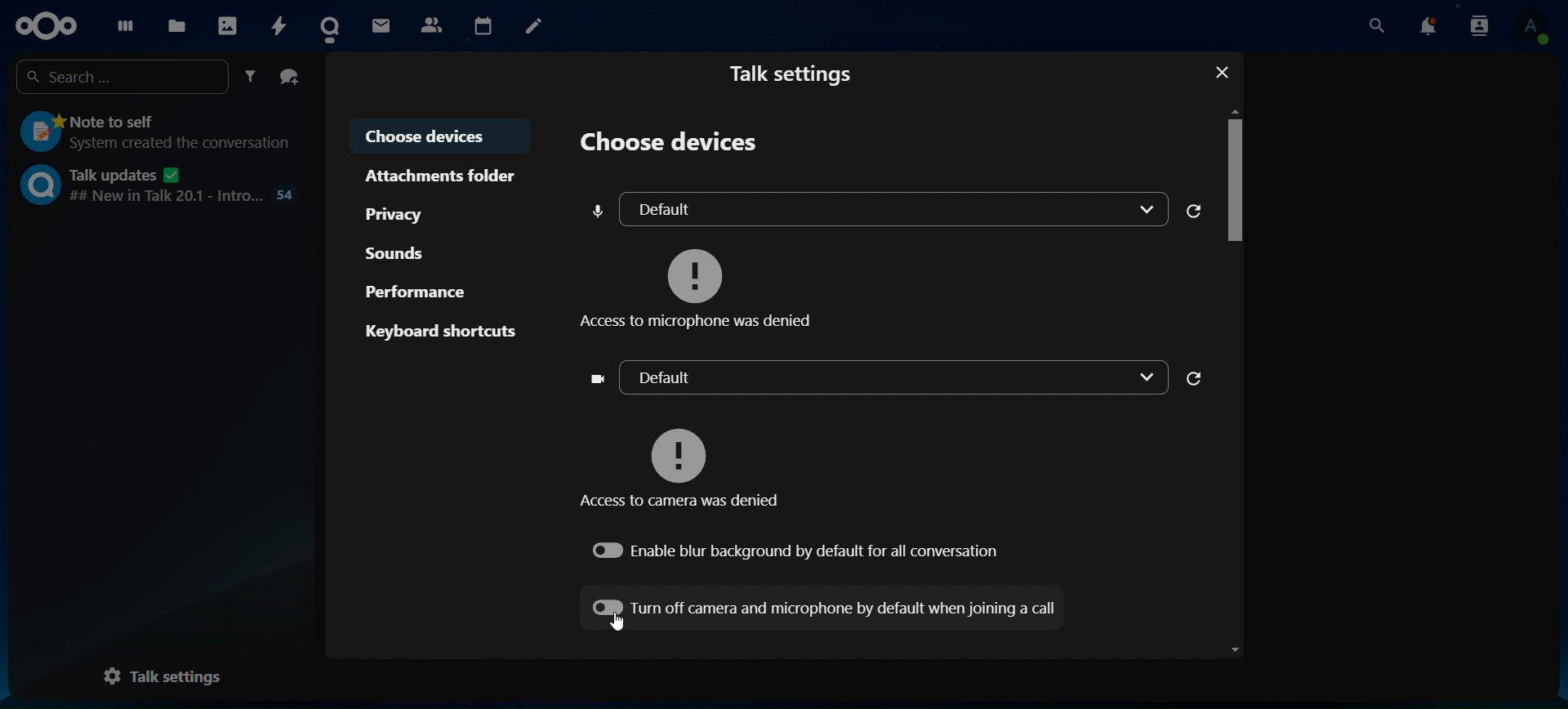 This screenshot has height=709, width=1568. I want to click on default, so click(881, 379).